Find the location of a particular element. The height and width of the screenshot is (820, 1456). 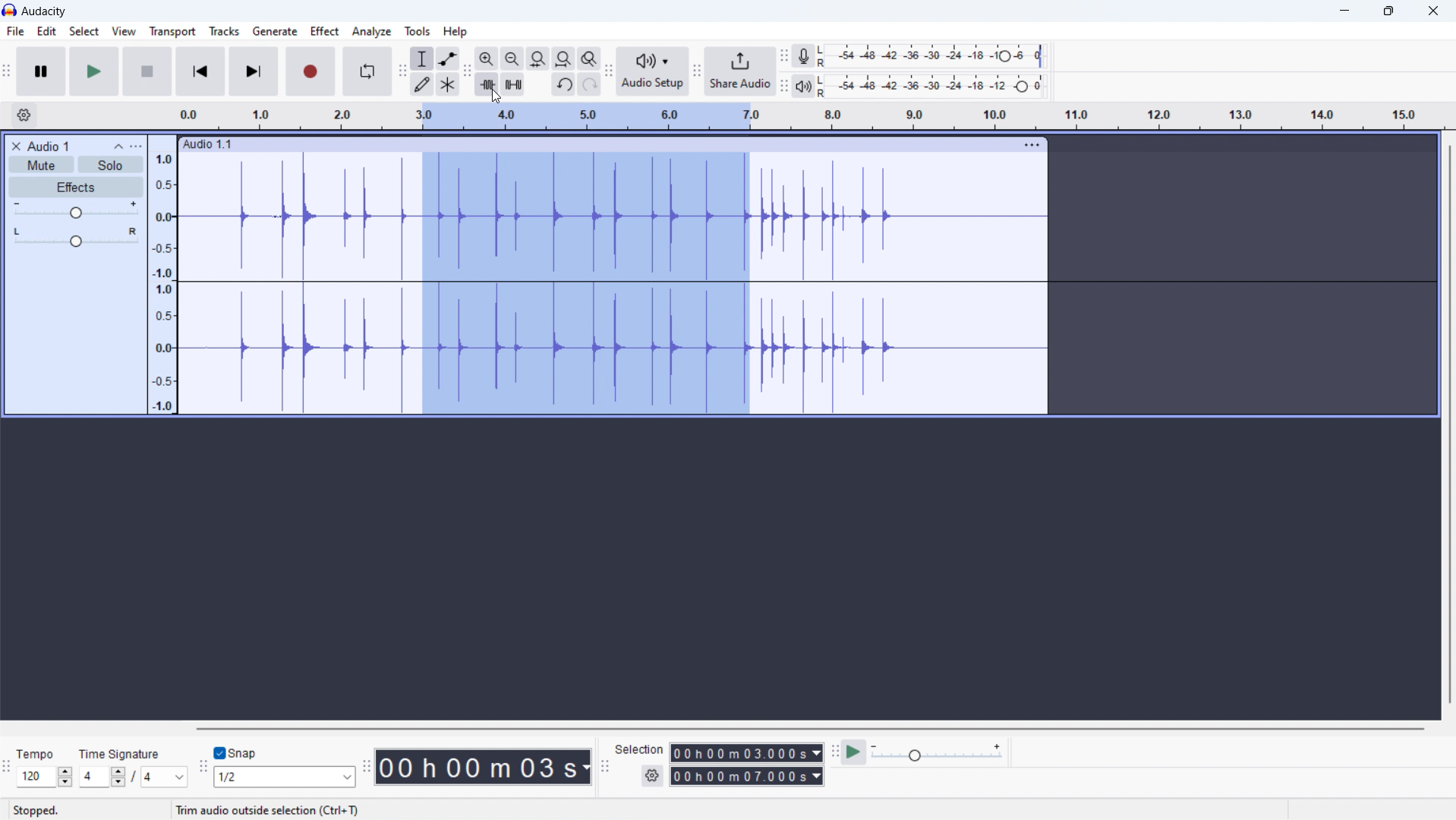

play at speed toolbar is located at coordinates (834, 752).